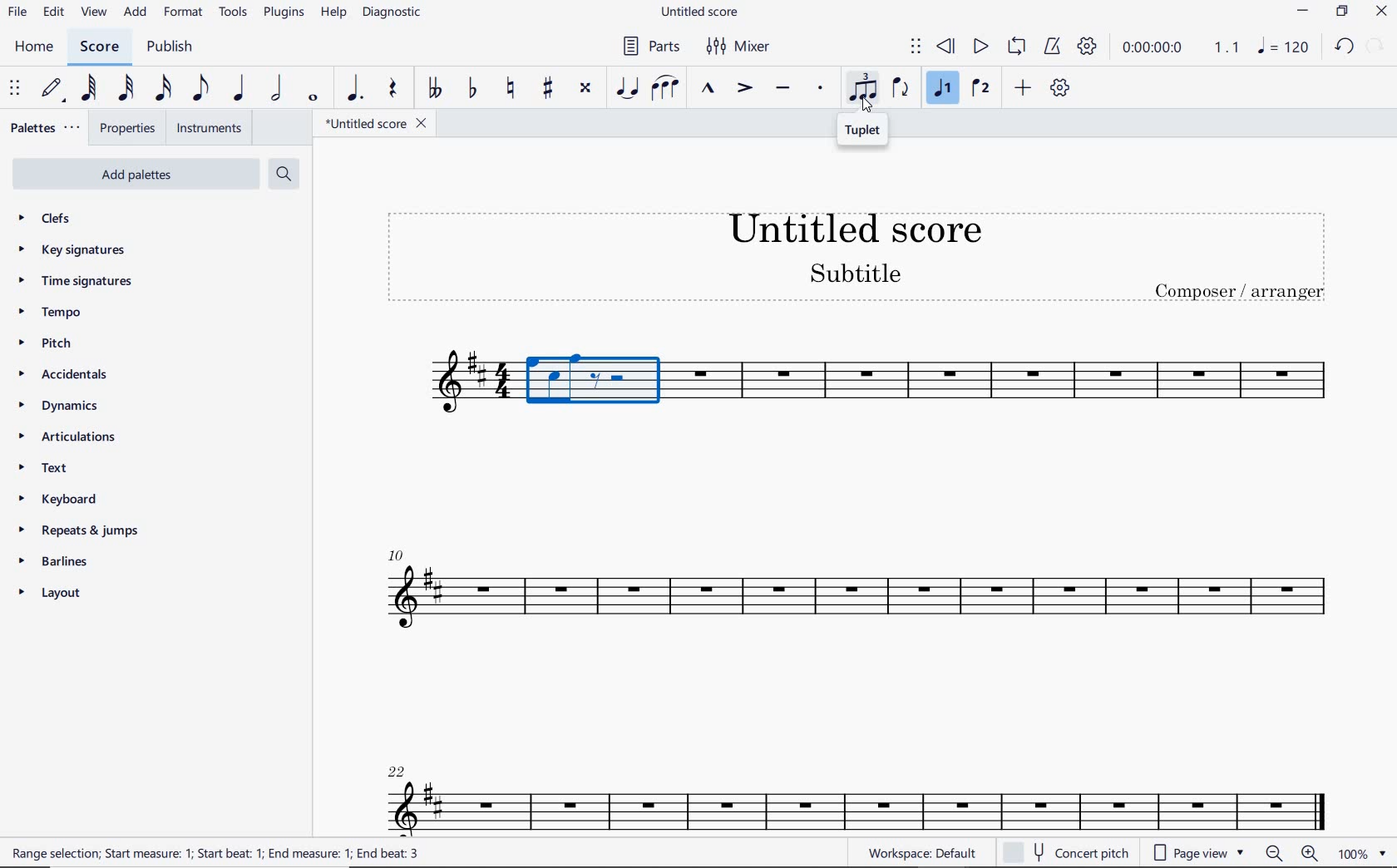 This screenshot has height=868, width=1397. I want to click on FORMAT, so click(184, 11).